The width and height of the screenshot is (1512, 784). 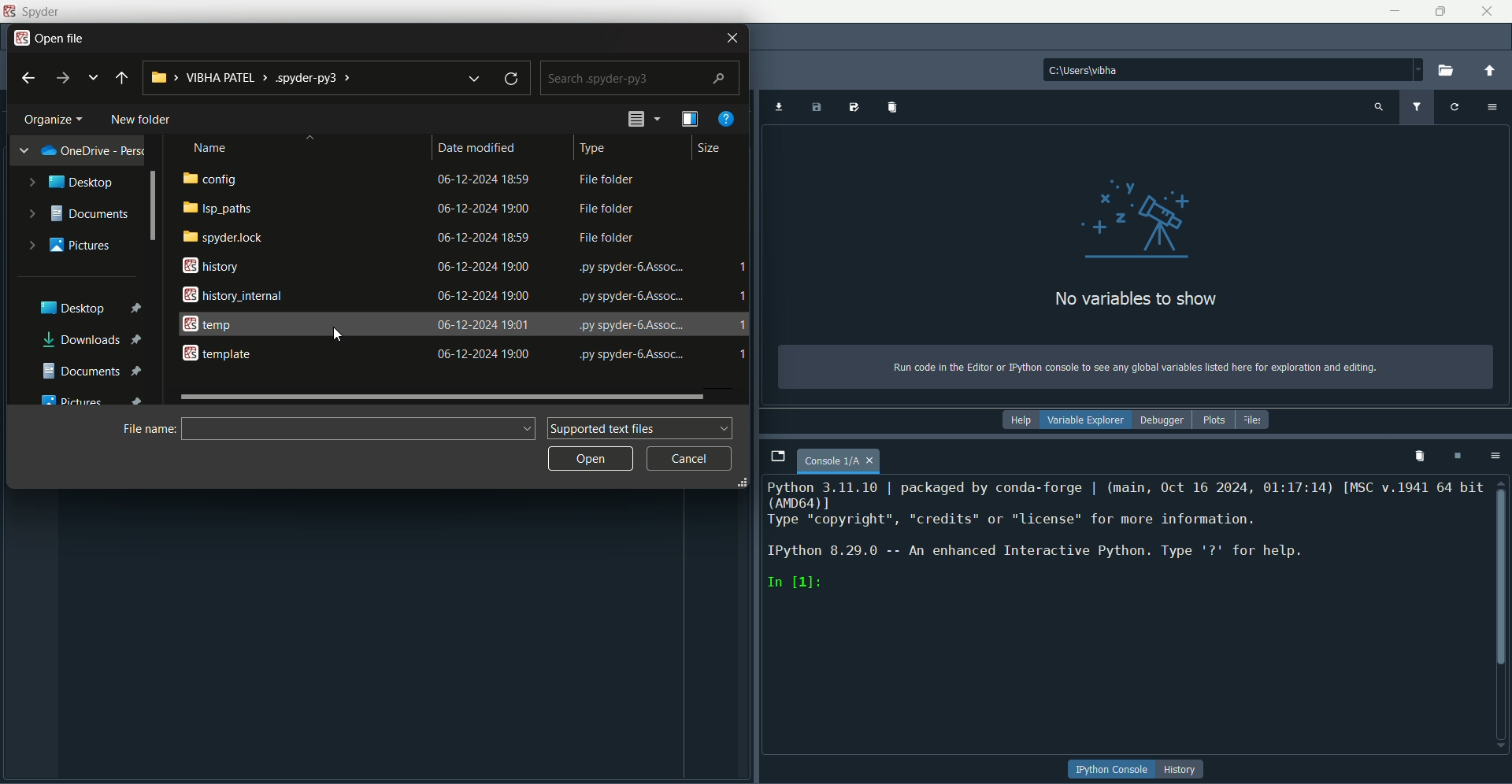 What do you see at coordinates (643, 118) in the screenshot?
I see `preview pane` at bounding box center [643, 118].